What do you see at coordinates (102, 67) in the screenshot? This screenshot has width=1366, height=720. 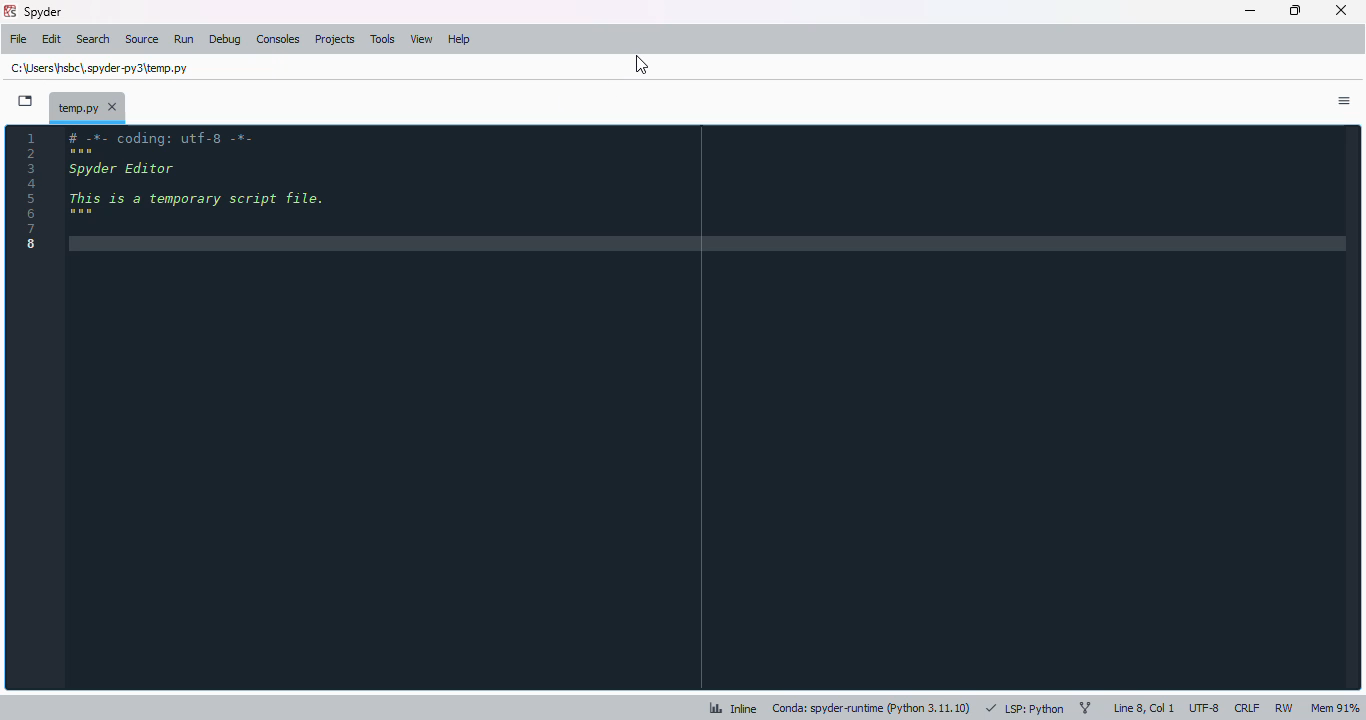 I see `Filepath` at bounding box center [102, 67].